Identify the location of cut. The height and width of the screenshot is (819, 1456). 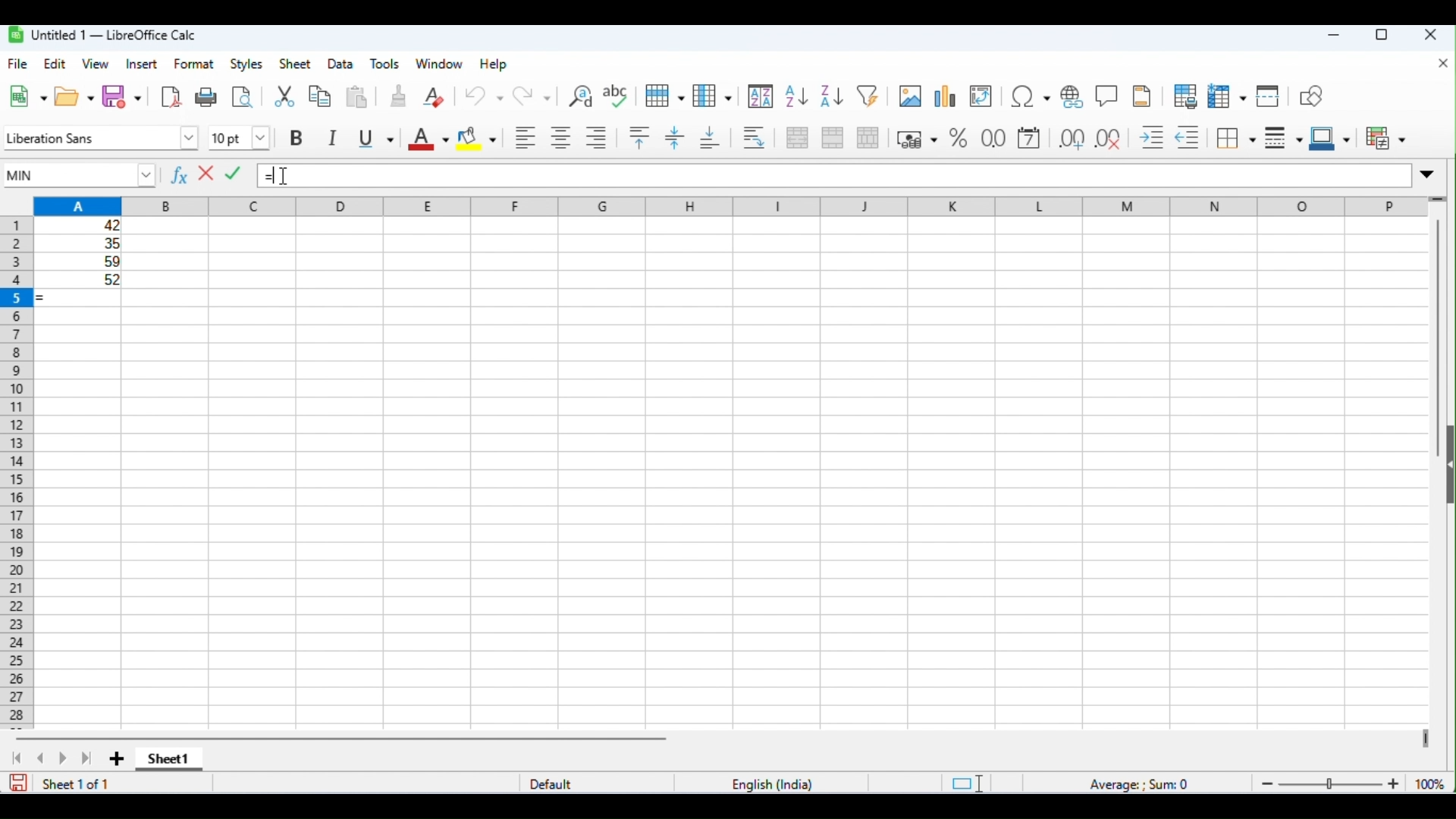
(287, 97).